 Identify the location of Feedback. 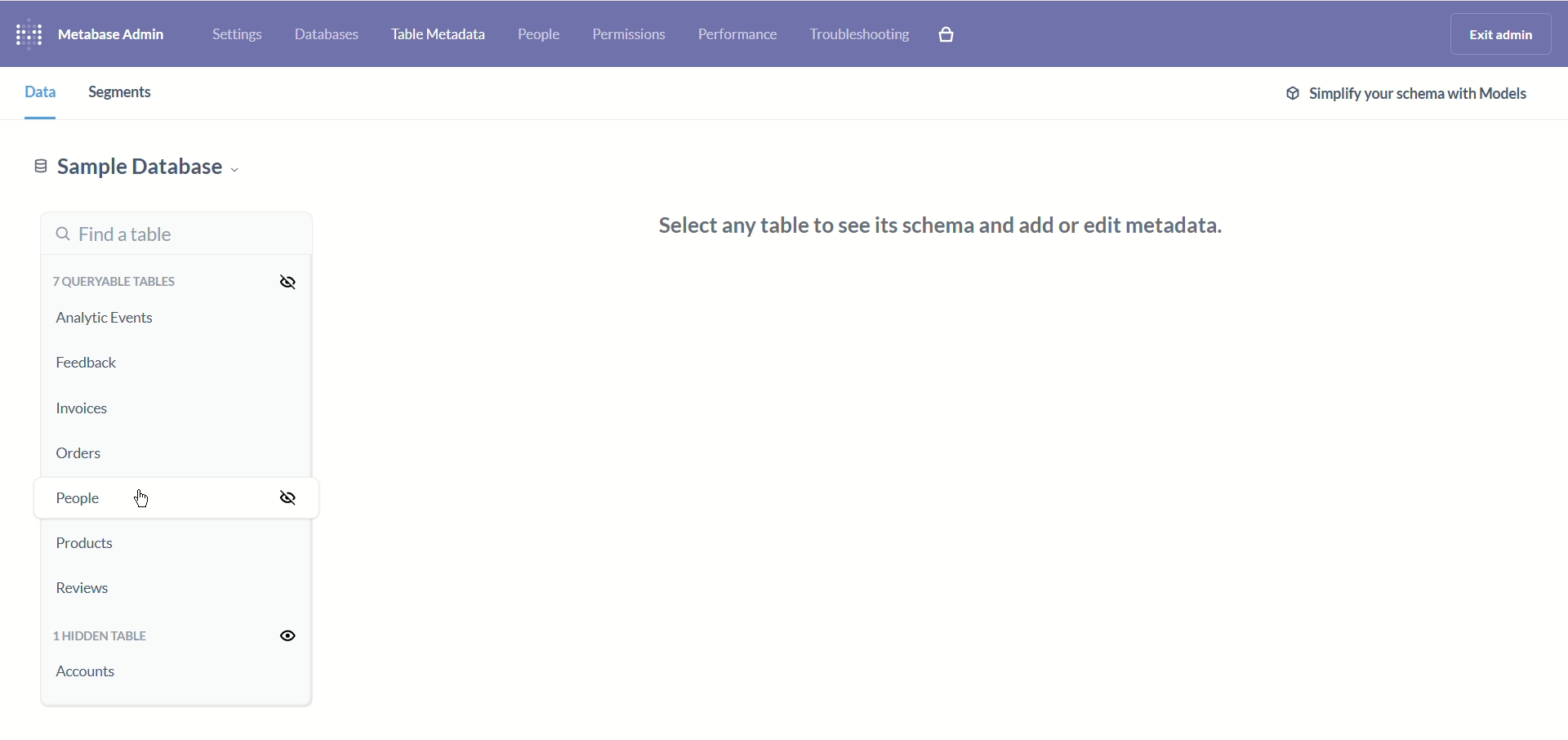
(90, 363).